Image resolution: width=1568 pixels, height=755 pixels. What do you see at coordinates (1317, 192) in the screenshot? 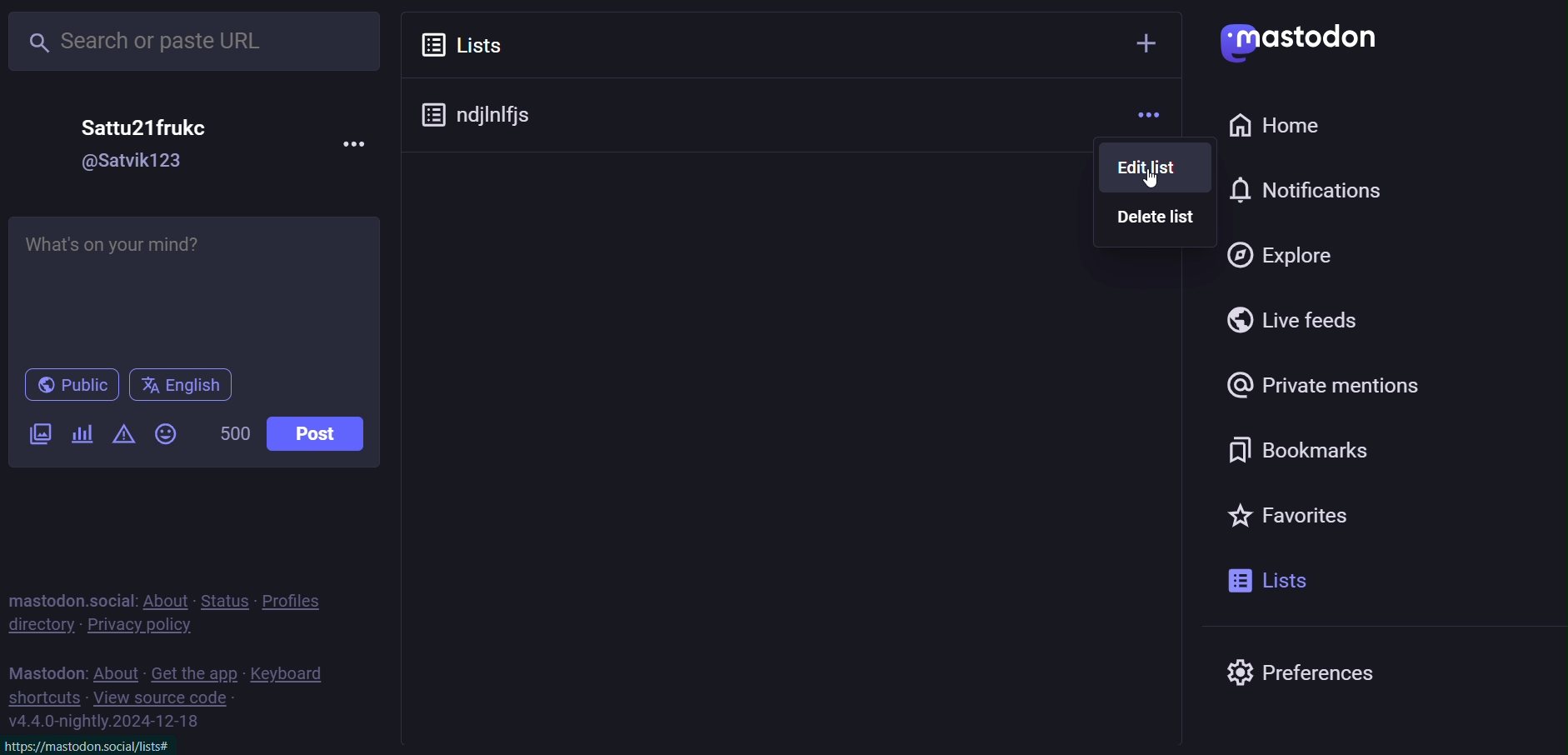
I see `notification` at bounding box center [1317, 192].